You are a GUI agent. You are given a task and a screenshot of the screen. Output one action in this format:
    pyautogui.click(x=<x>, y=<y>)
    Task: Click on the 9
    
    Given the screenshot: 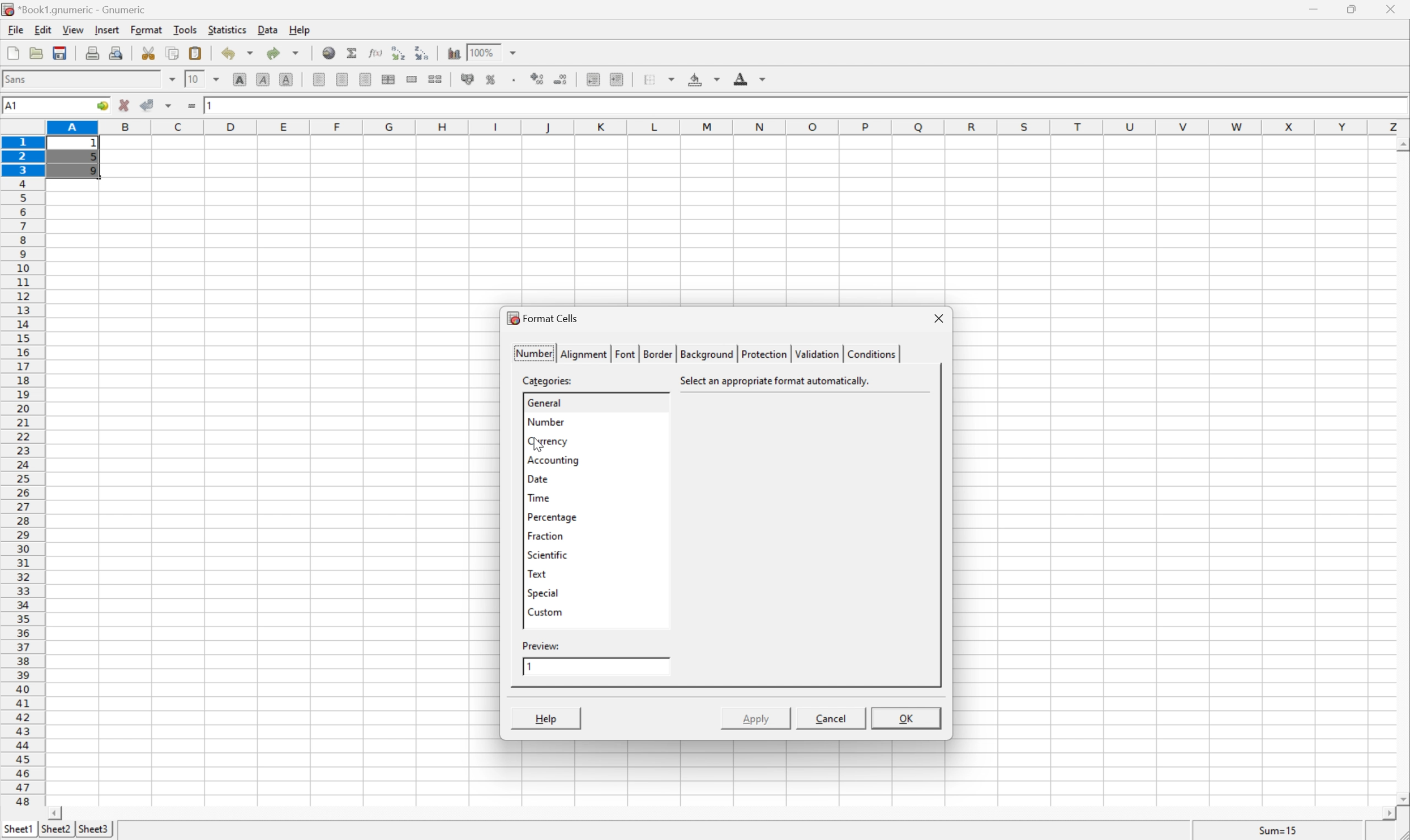 What is the action you would take?
    pyautogui.click(x=93, y=172)
    